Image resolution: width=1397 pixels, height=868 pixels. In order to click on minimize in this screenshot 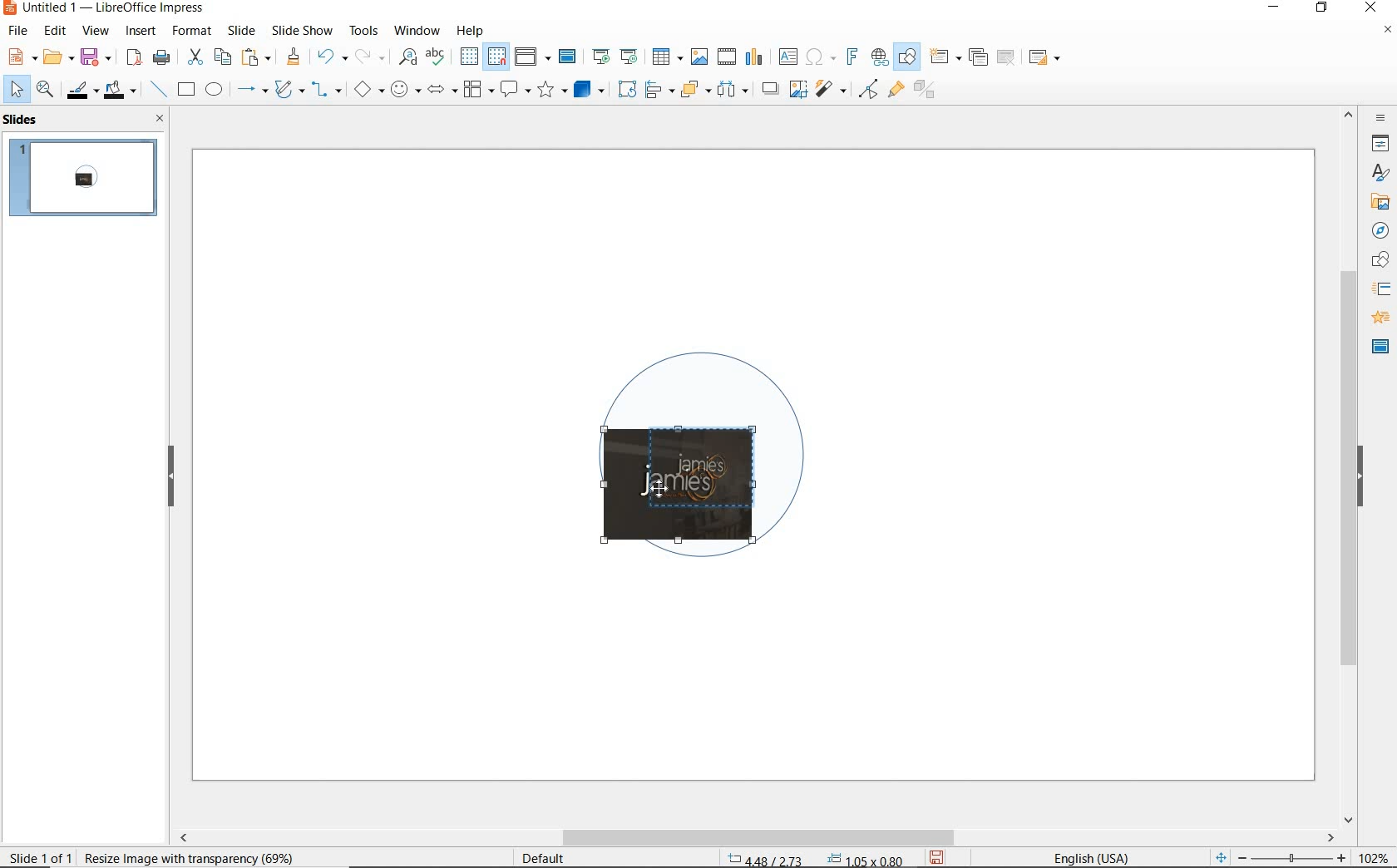, I will do `click(1276, 9)`.